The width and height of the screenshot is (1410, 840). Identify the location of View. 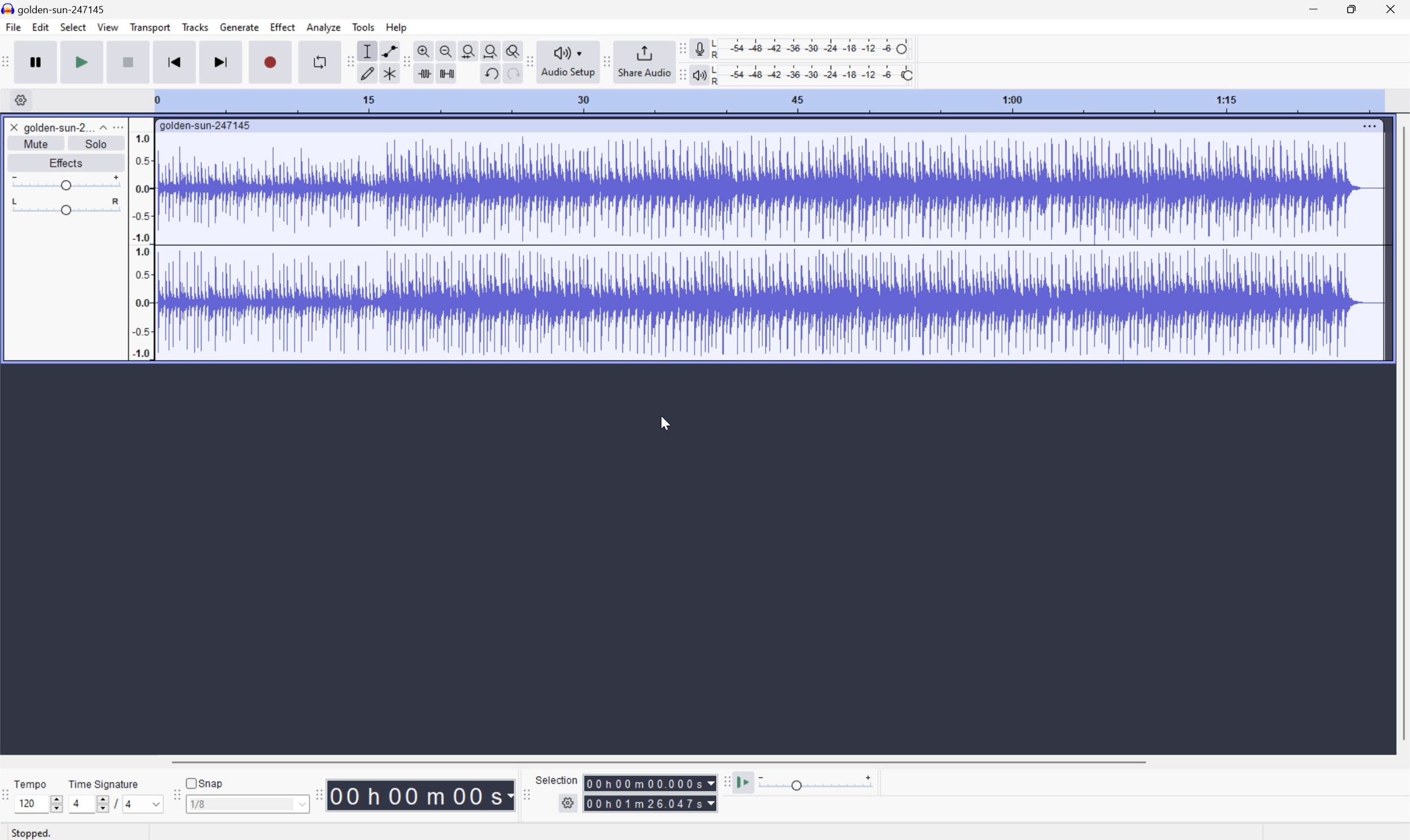
(109, 28).